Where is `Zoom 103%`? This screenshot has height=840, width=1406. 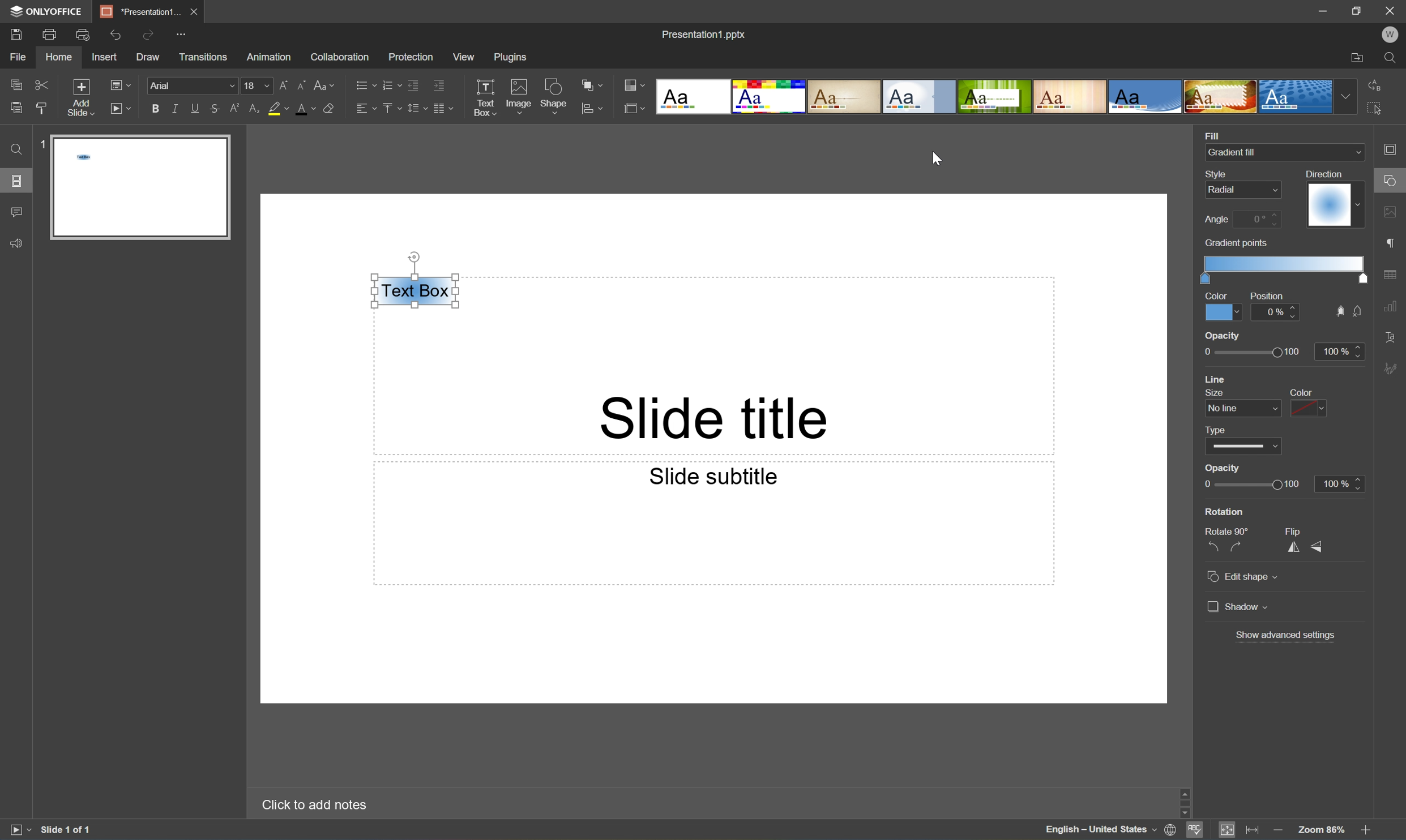
Zoom 103% is located at coordinates (1321, 830).